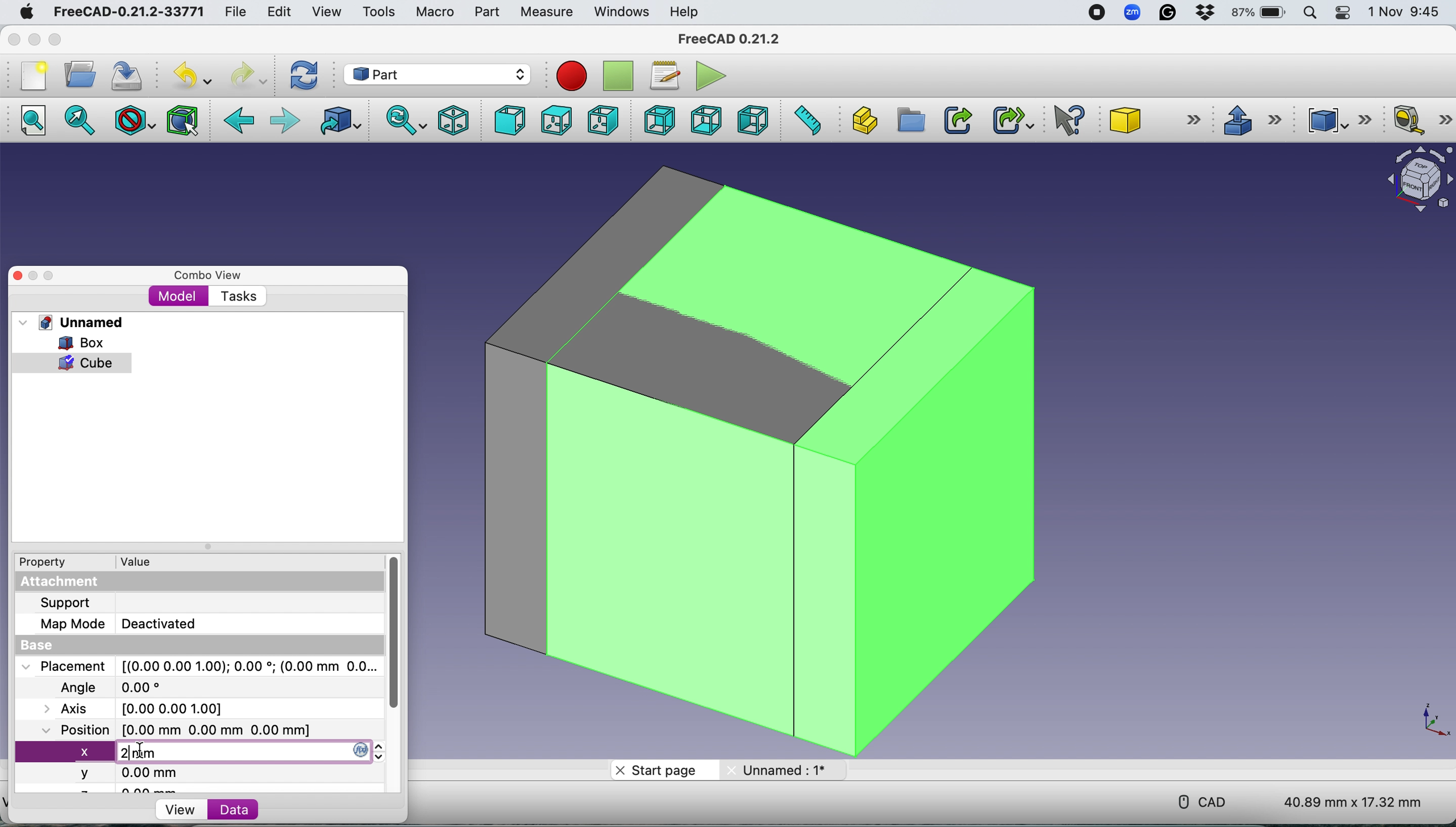 This screenshot has height=827, width=1456. What do you see at coordinates (34, 39) in the screenshot?
I see `minimise` at bounding box center [34, 39].